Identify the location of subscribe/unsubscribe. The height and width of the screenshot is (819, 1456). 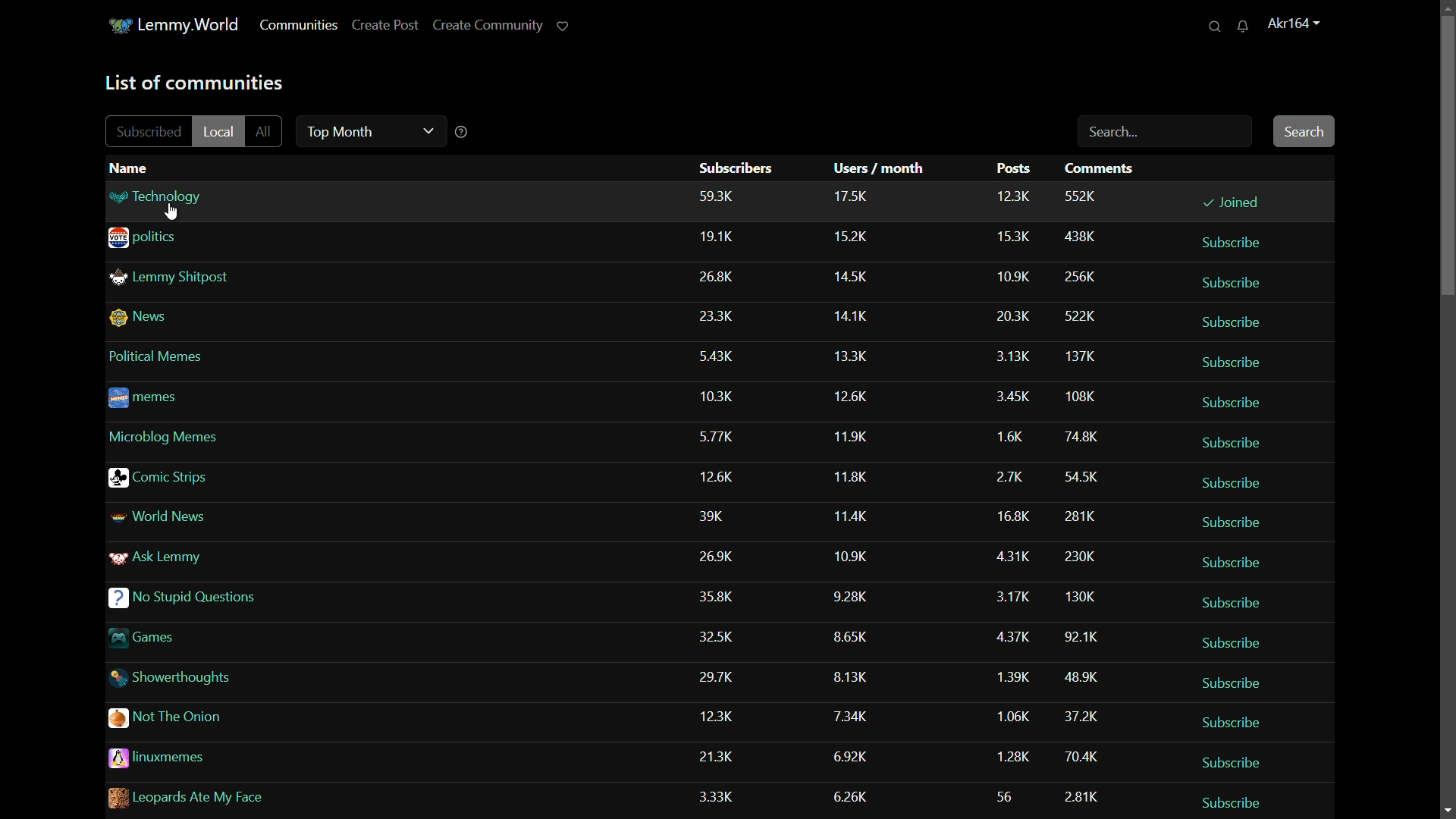
(1222, 639).